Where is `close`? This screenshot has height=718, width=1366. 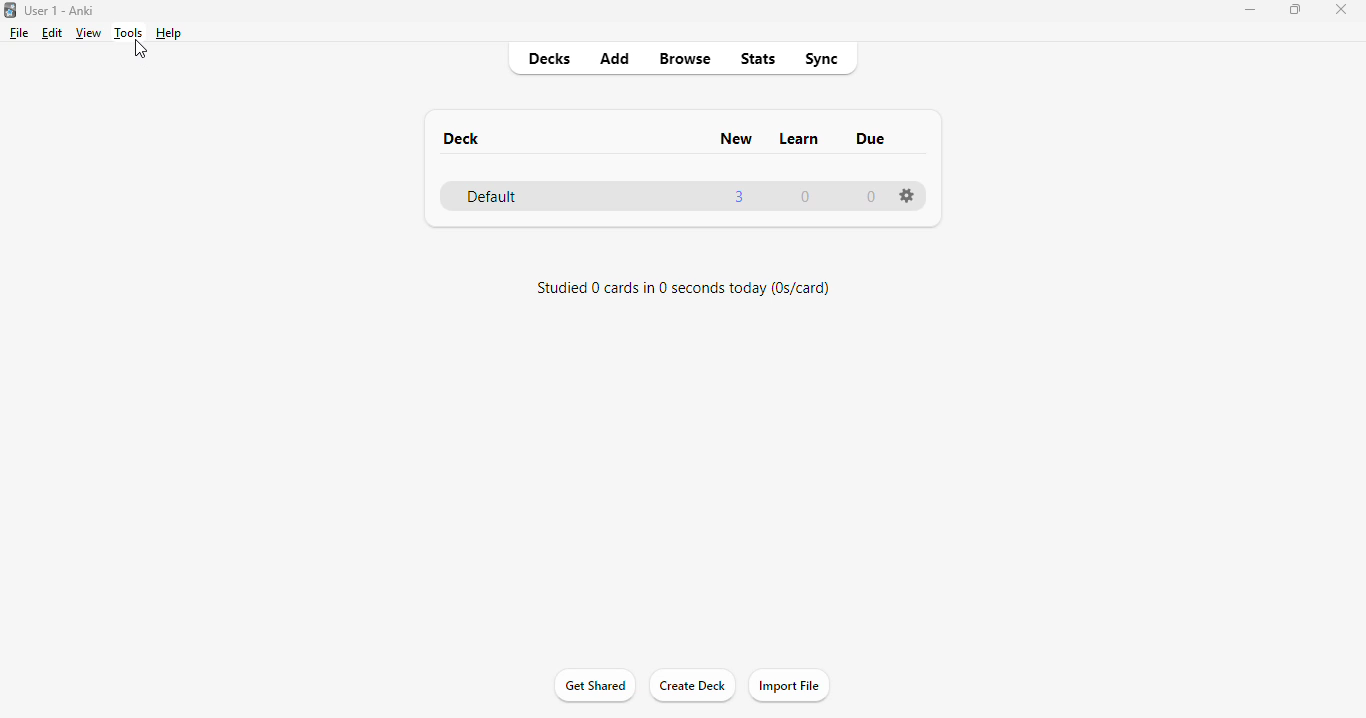 close is located at coordinates (1341, 12).